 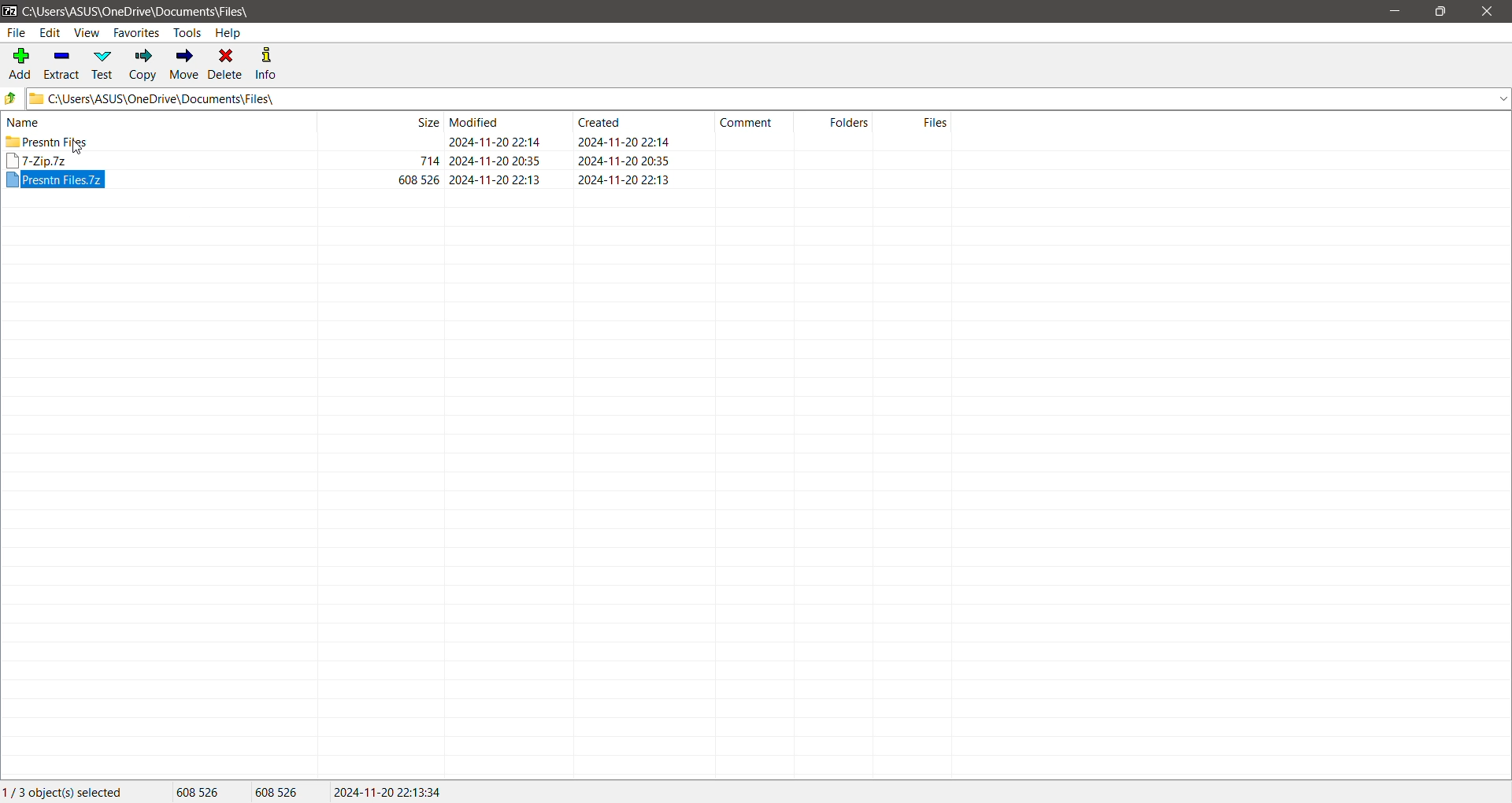 What do you see at coordinates (747, 123) in the screenshot?
I see `comment` at bounding box center [747, 123].